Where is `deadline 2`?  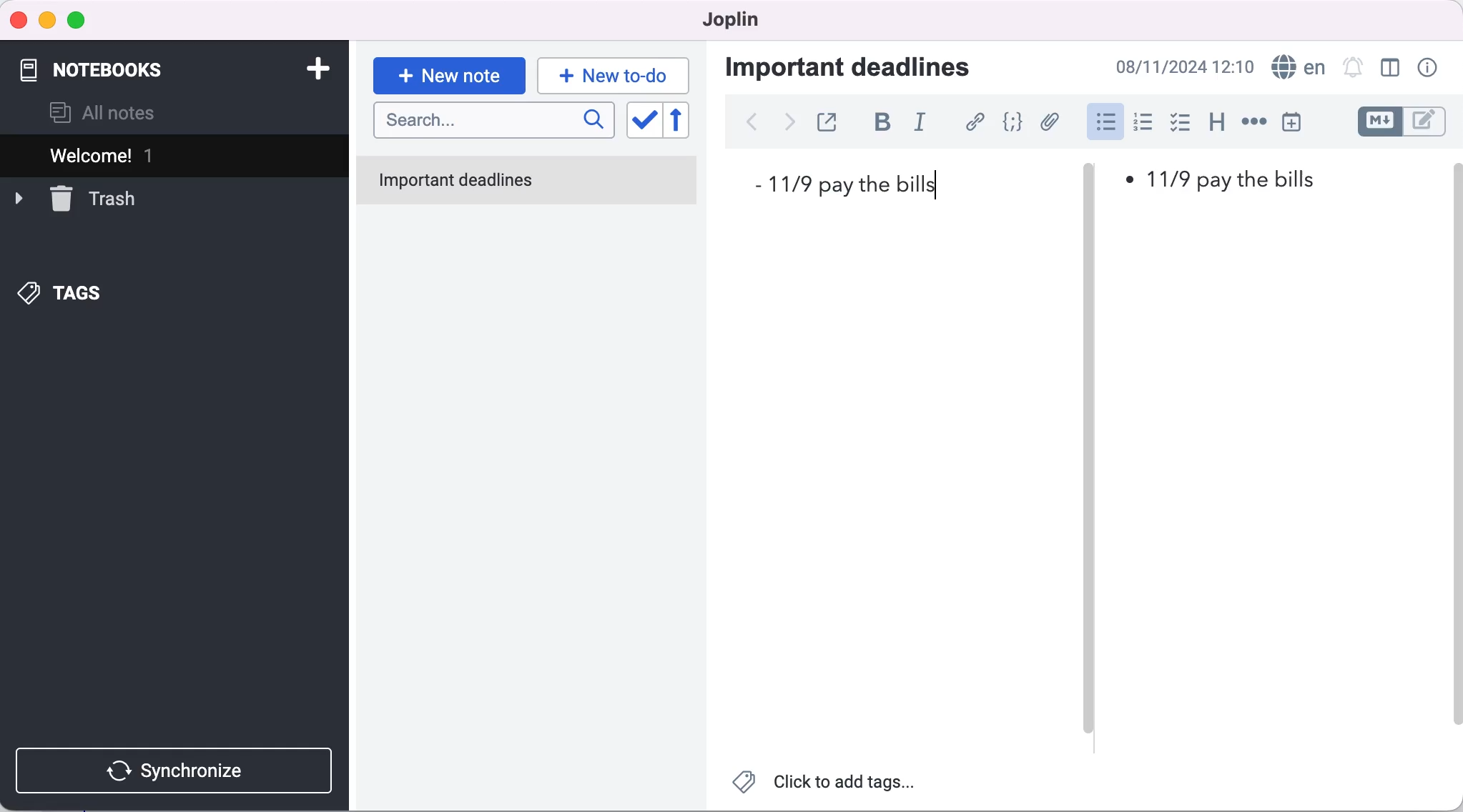 deadline 2 is located at coordinates (1223, 179).